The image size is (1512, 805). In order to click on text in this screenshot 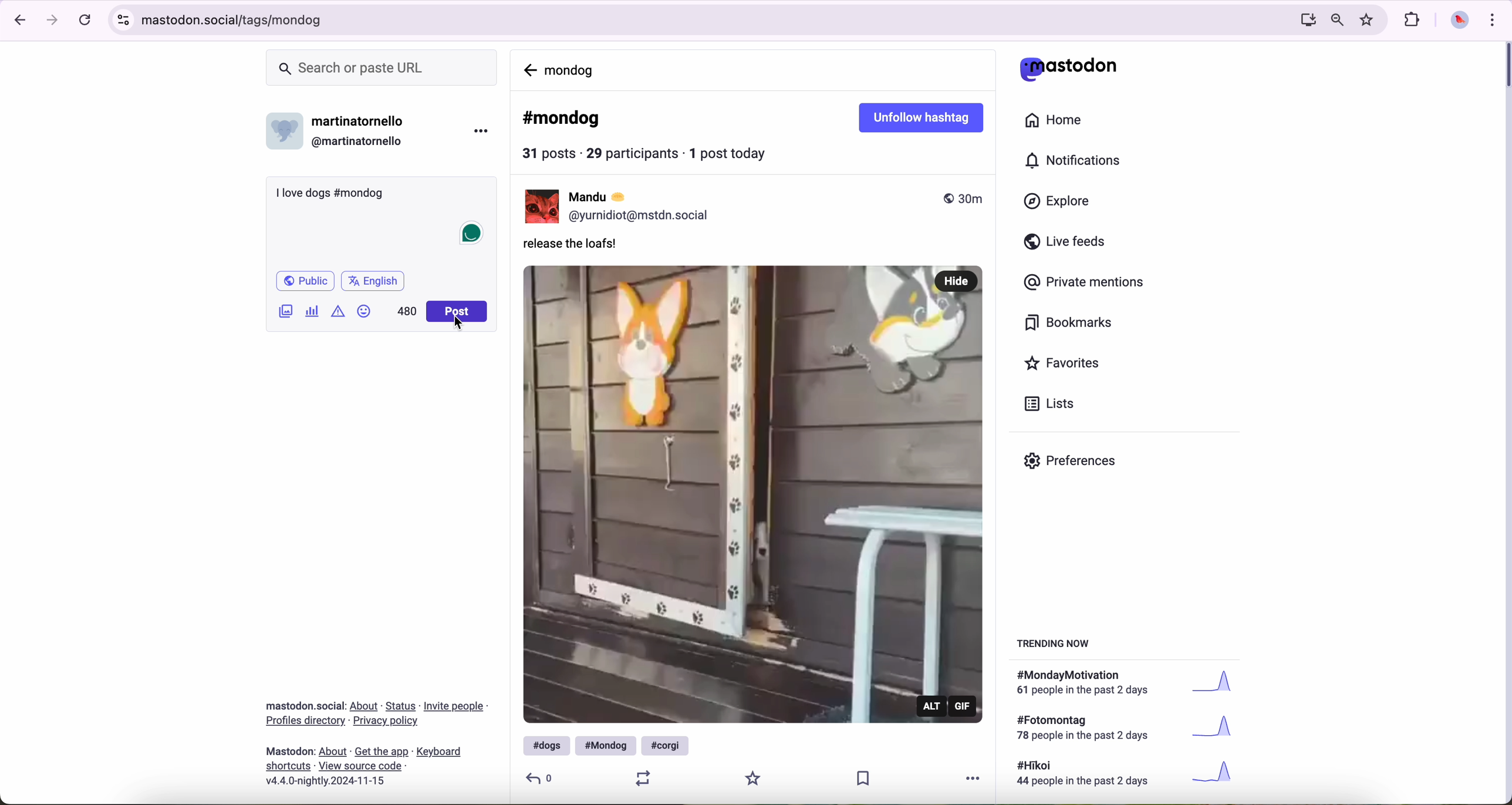, I will do `click(1086, 729)`.